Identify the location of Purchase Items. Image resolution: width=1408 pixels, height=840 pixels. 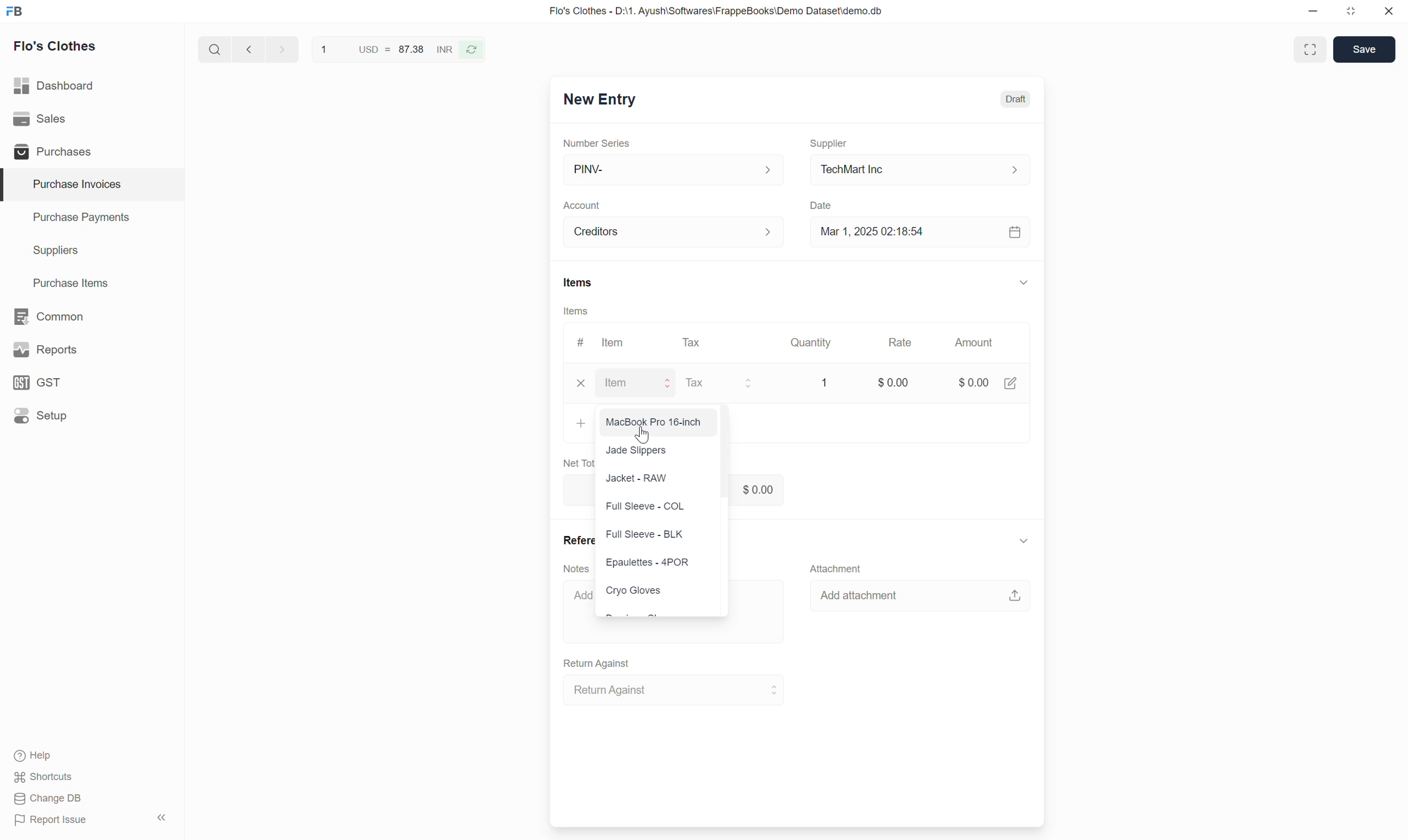
(92, 284).